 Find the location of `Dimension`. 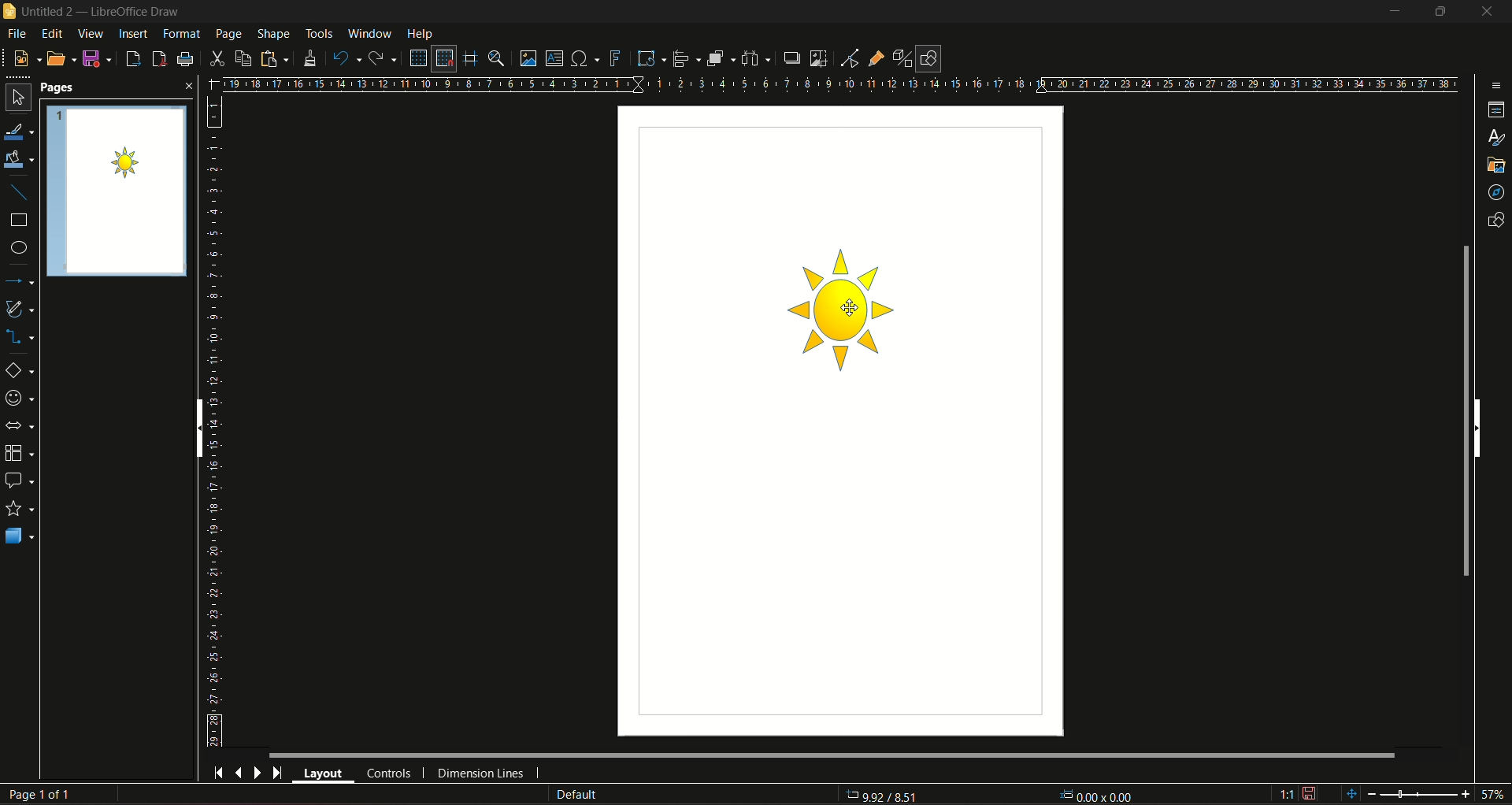

Dimension is located at coordinates (886, 794).